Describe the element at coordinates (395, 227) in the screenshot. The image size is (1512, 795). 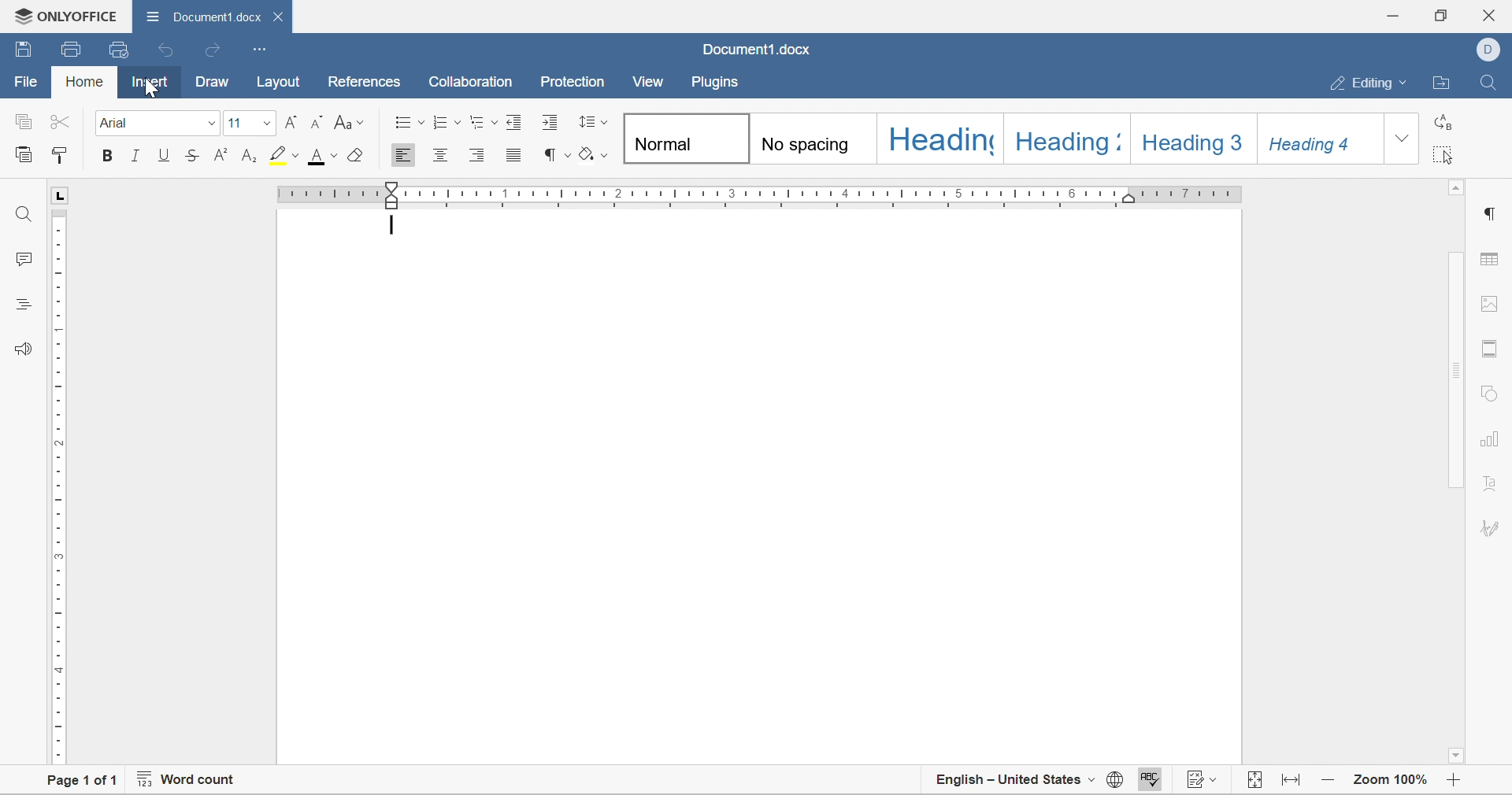
I see `Typing cursor` at that location.